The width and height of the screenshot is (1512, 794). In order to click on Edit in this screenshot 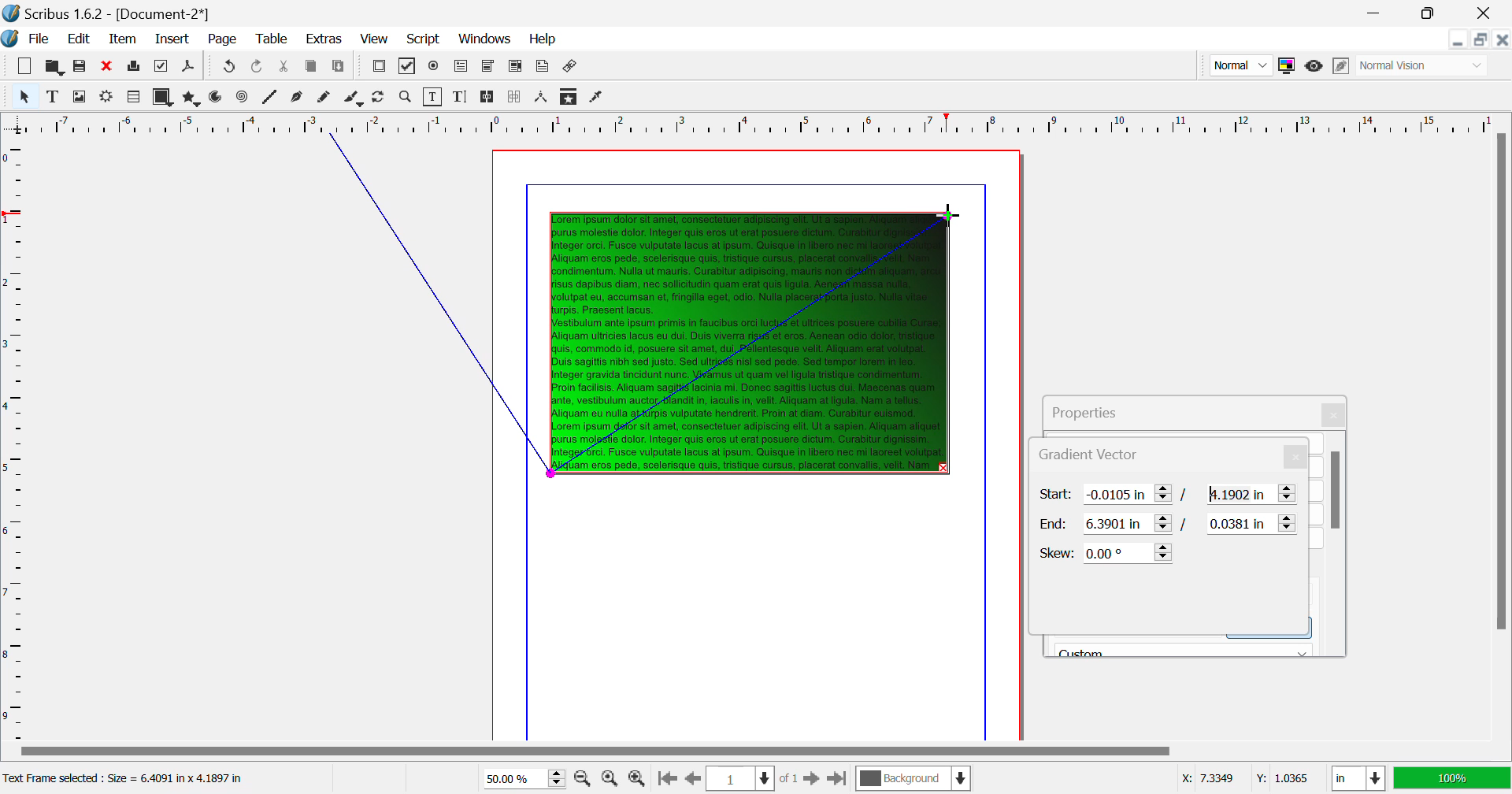, I will do `click(76, 39)`.